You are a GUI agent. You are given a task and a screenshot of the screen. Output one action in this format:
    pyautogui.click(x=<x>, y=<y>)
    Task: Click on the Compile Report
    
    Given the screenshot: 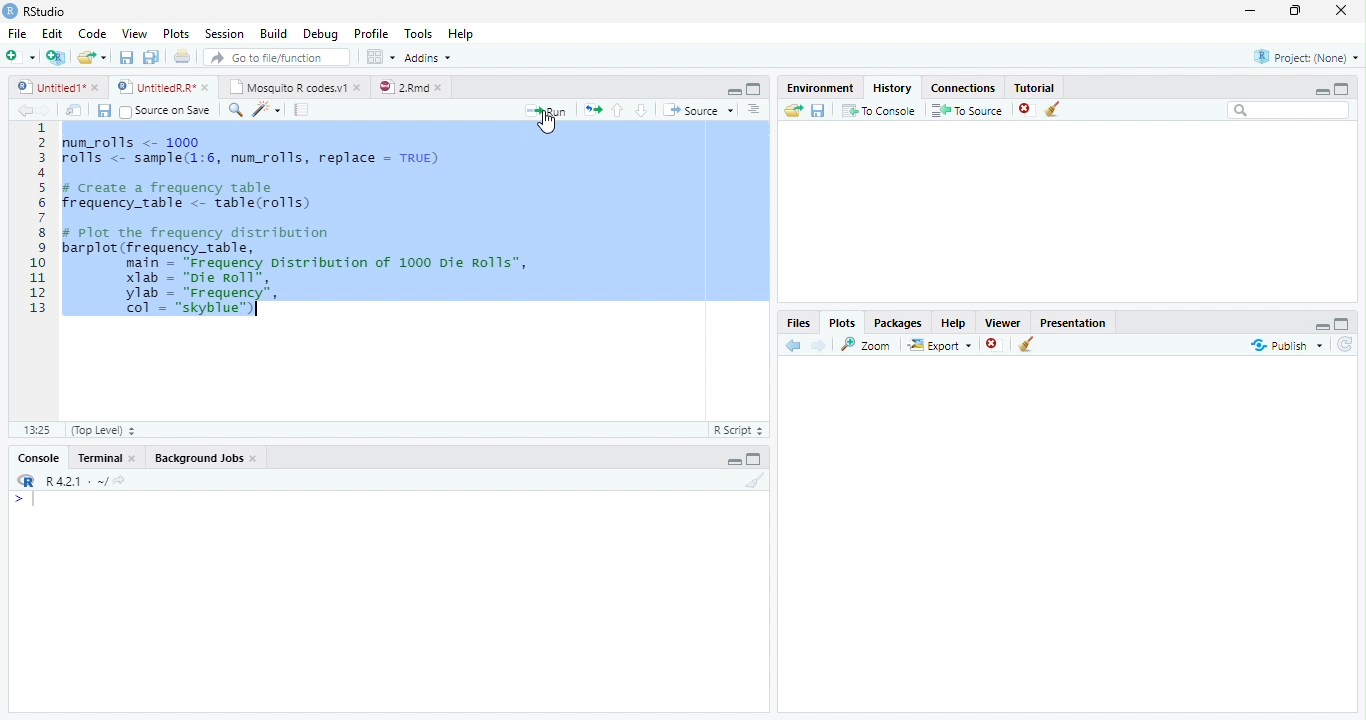 What is the action you would take?
    pyautogui.click(x=303, y=109)
    